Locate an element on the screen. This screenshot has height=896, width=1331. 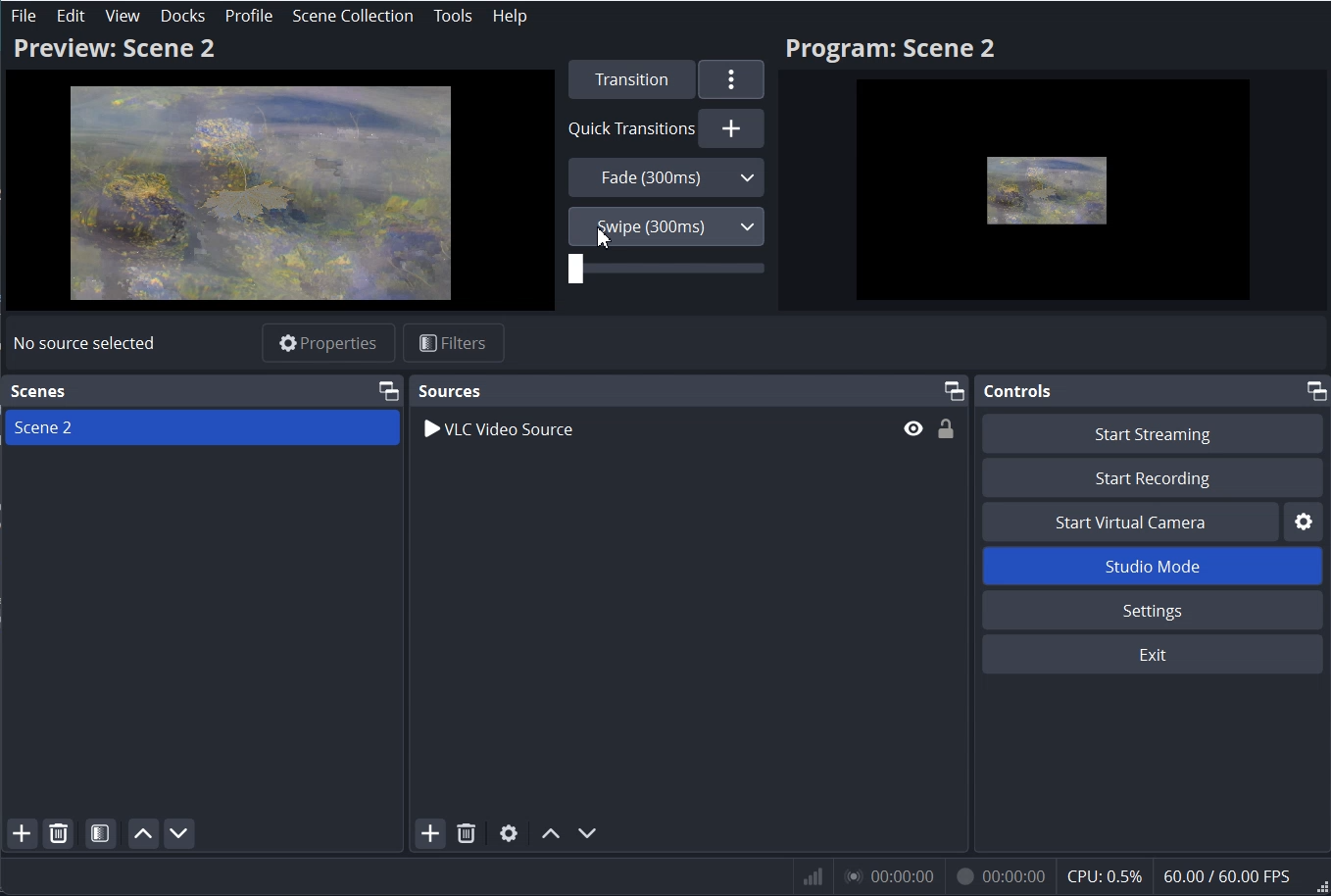
Filters is located at coordinates (455, 342).